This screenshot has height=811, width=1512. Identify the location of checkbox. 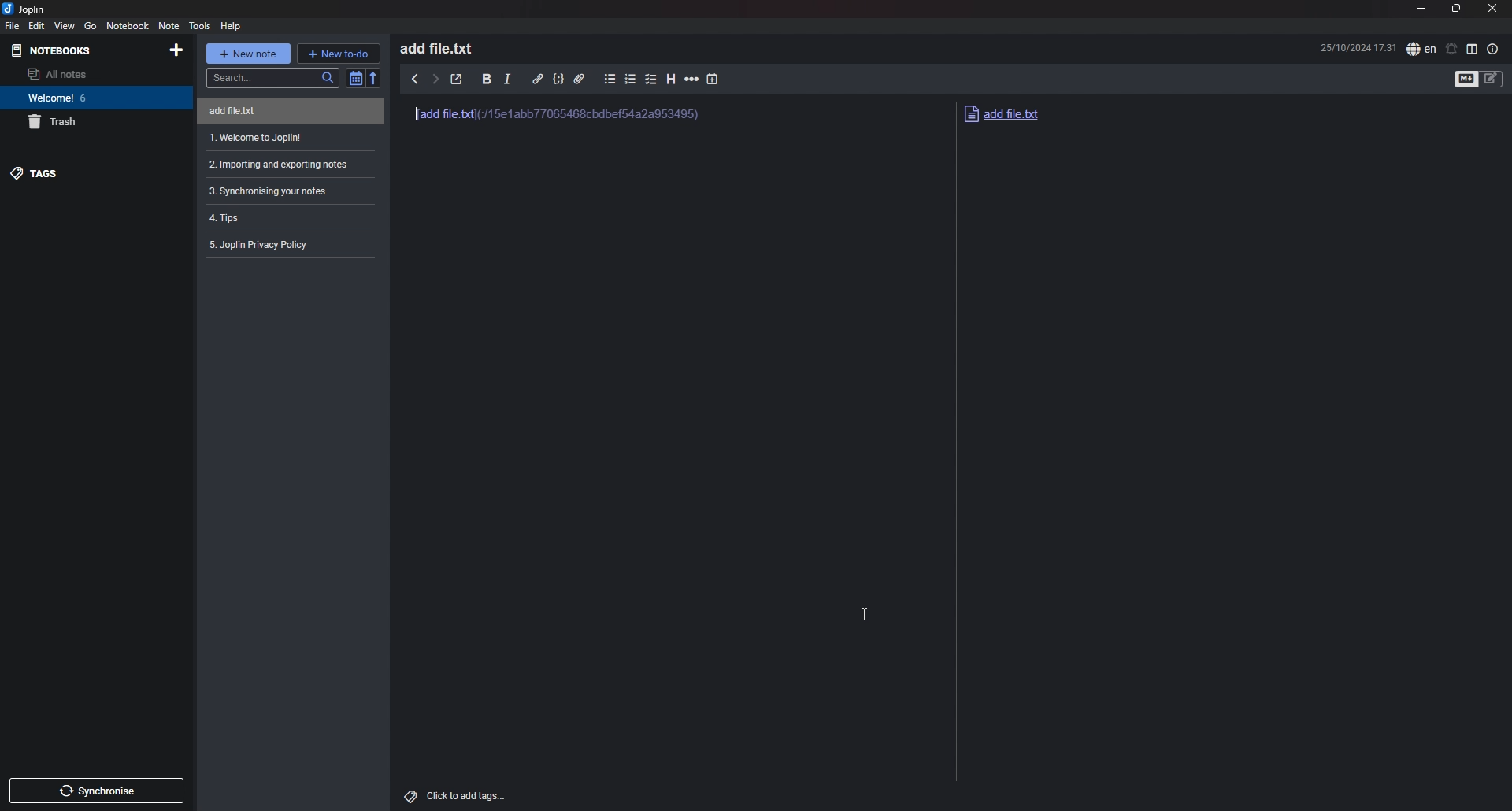
(652, 80).